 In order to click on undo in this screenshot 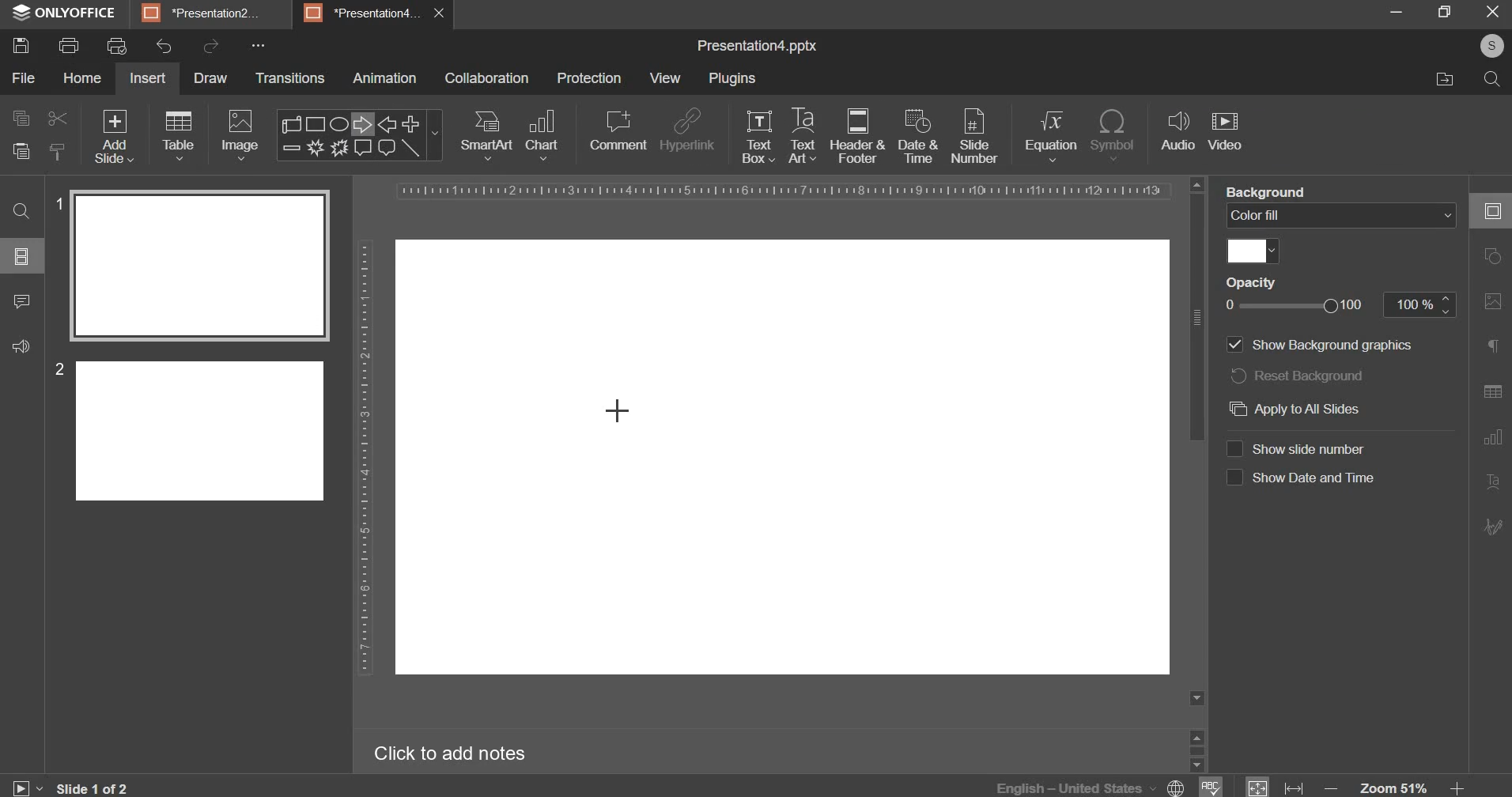, I will do `click(164, 47)`.